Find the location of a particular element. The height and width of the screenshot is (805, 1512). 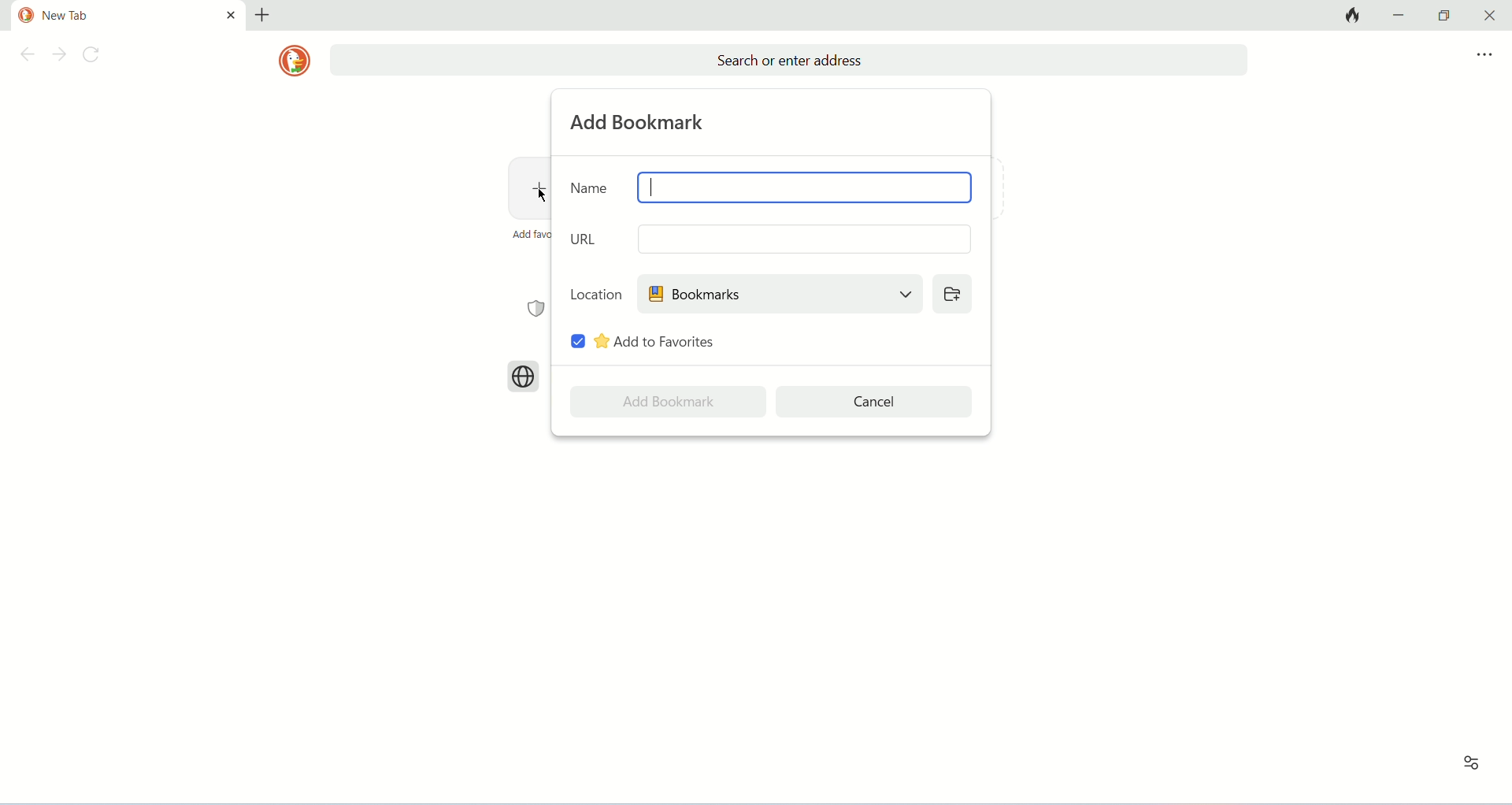

current tab is located at coordinates (112, 16).